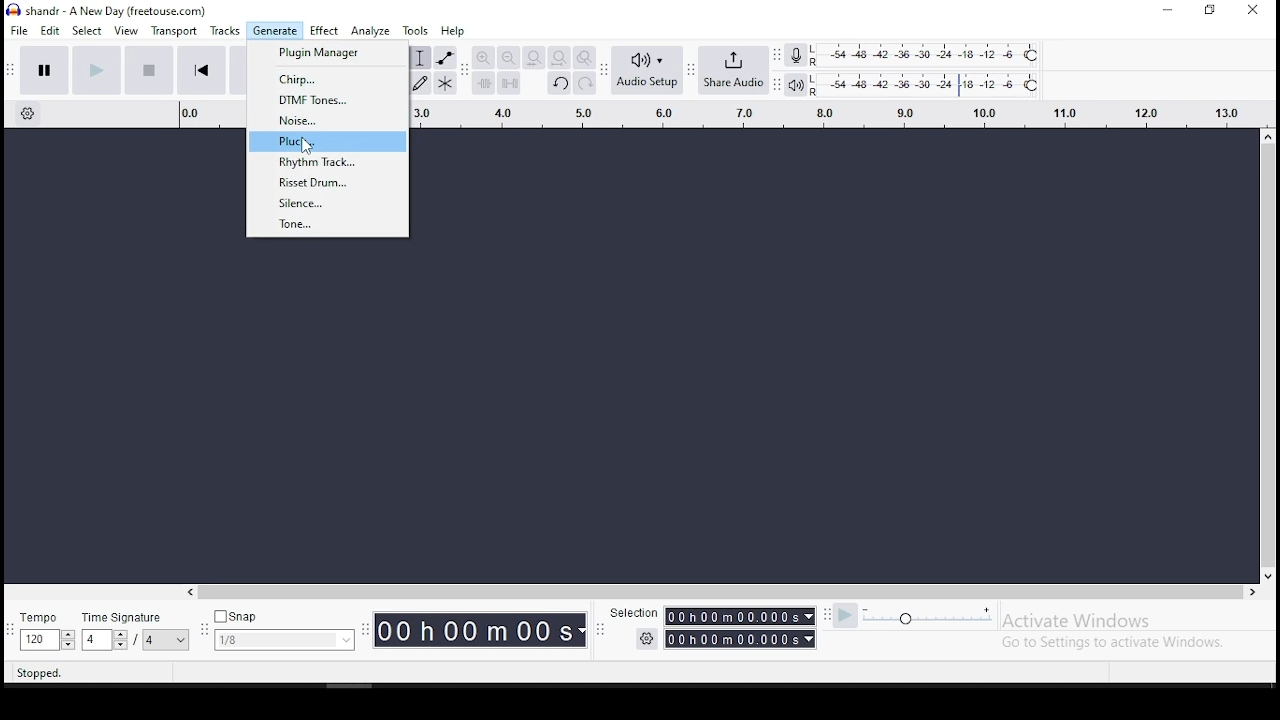  Describe the element at coordinates (847, 616) in the screenshot. I see `play at speed` at that location.